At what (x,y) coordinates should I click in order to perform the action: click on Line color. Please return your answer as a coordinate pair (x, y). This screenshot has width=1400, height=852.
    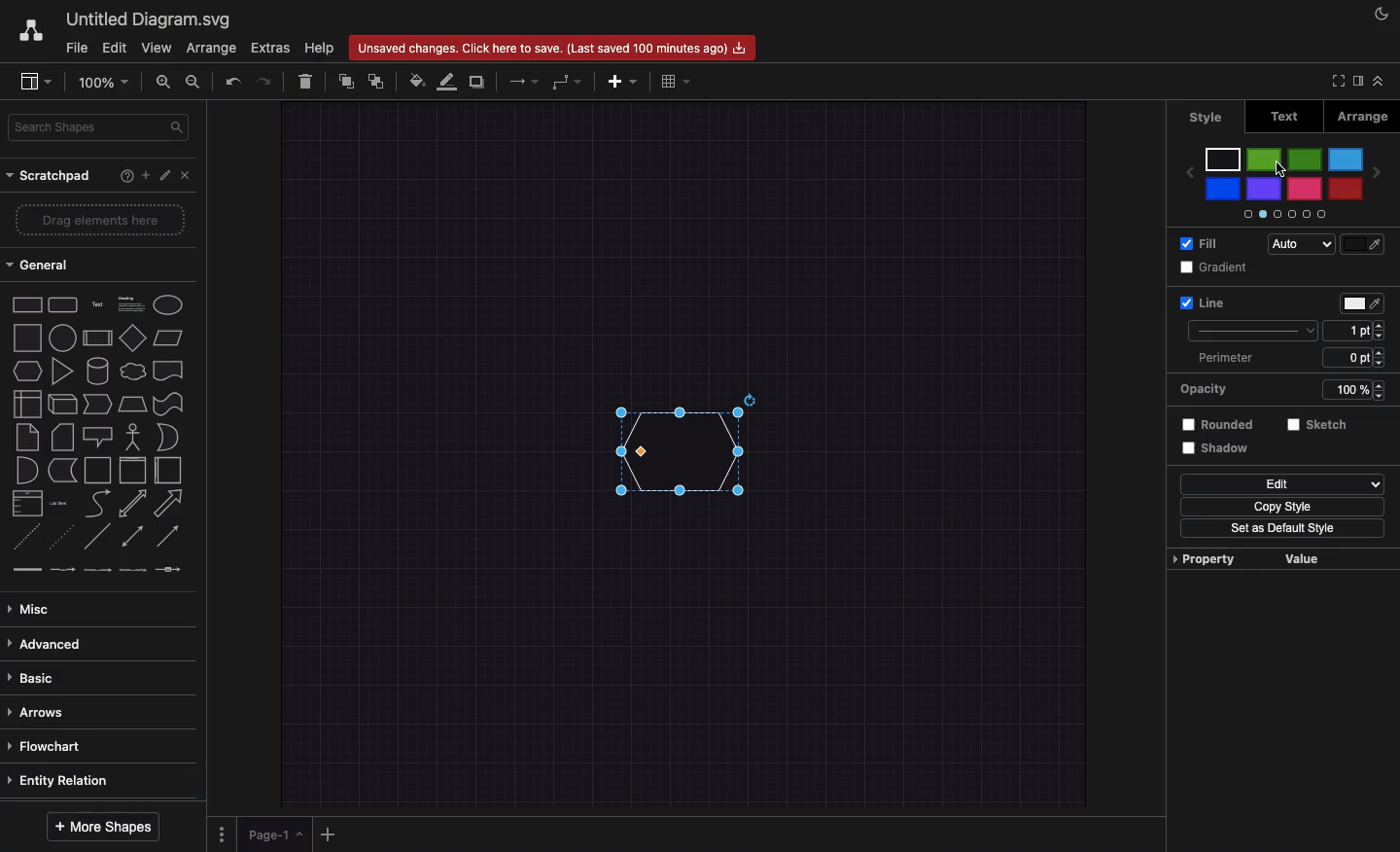
    Looking at the image, I should click on (448, 83).